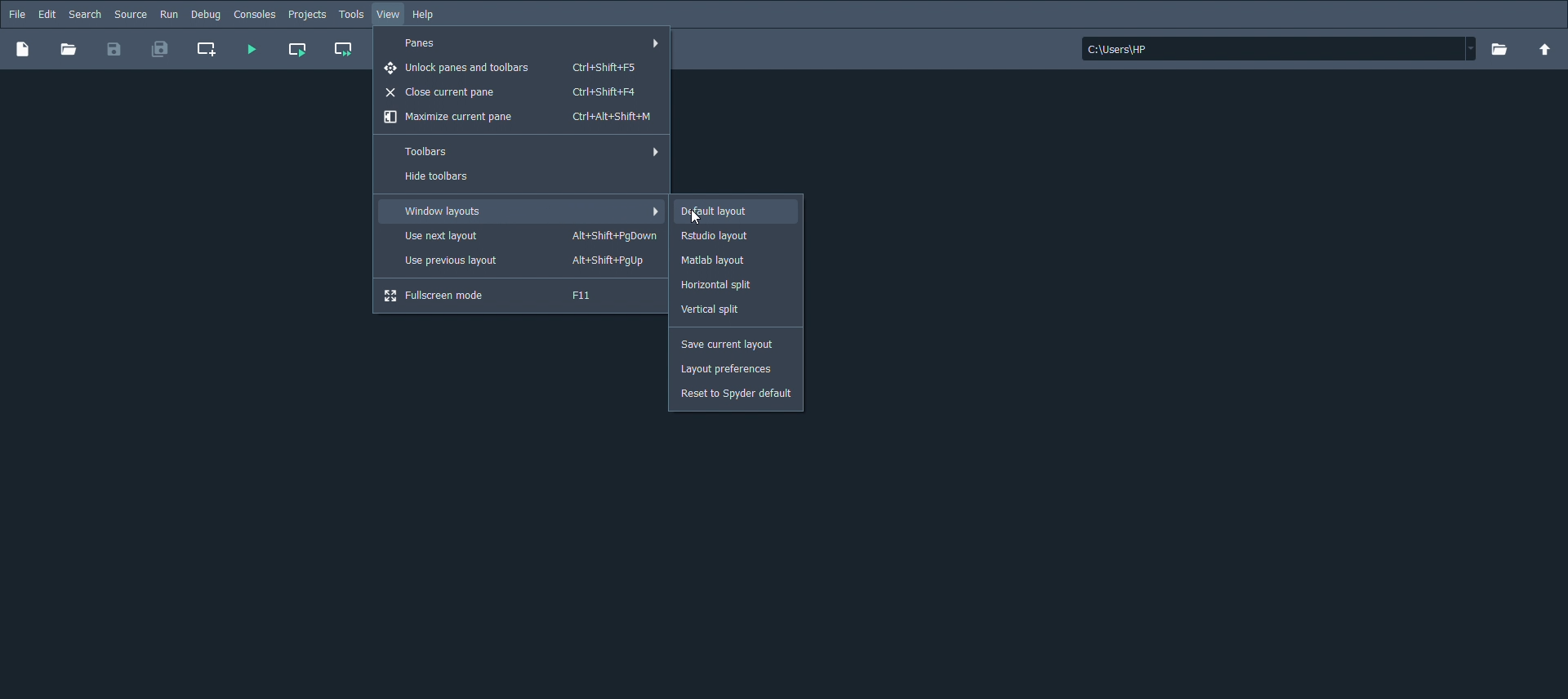 The image size is (1568, 699). I want to click on Reset to Spyder default, so click(739, 393).